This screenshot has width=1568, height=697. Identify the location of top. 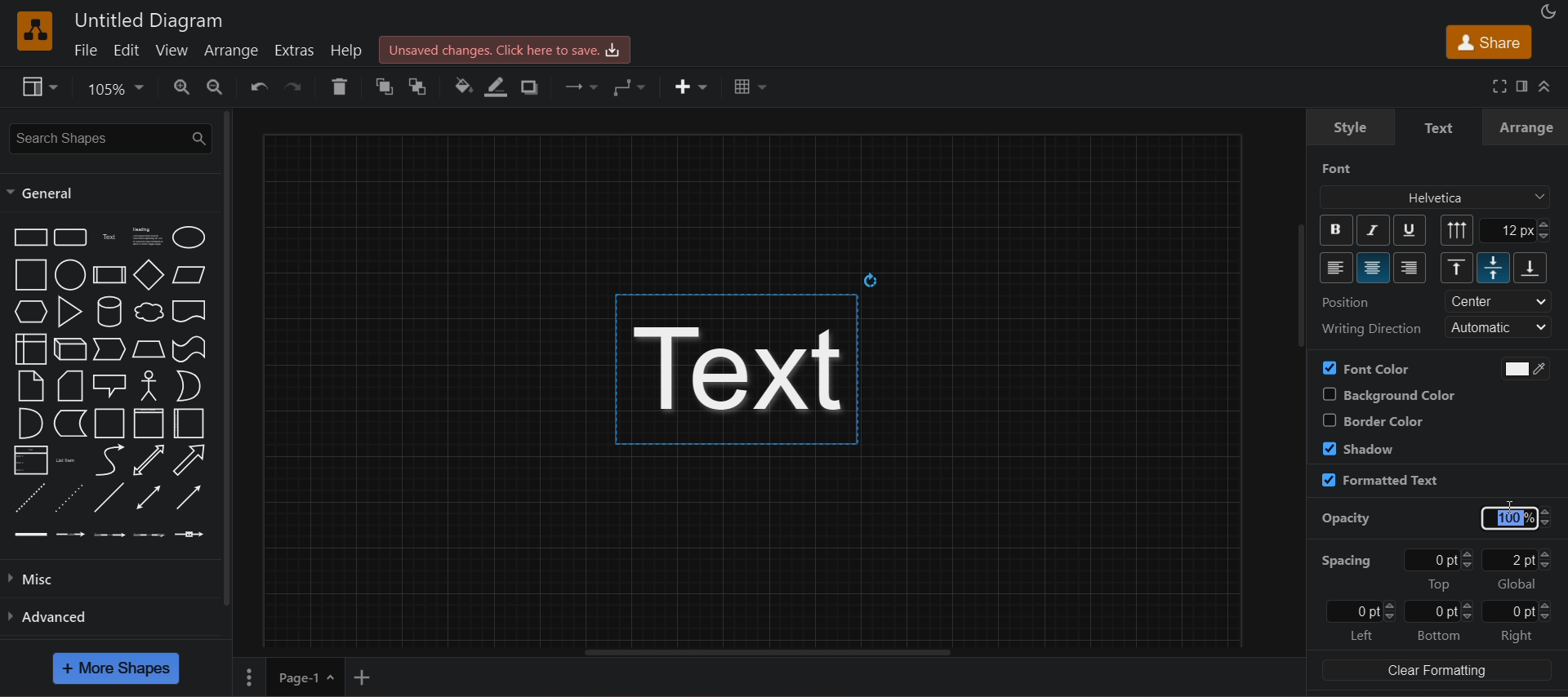
(1457, 267).